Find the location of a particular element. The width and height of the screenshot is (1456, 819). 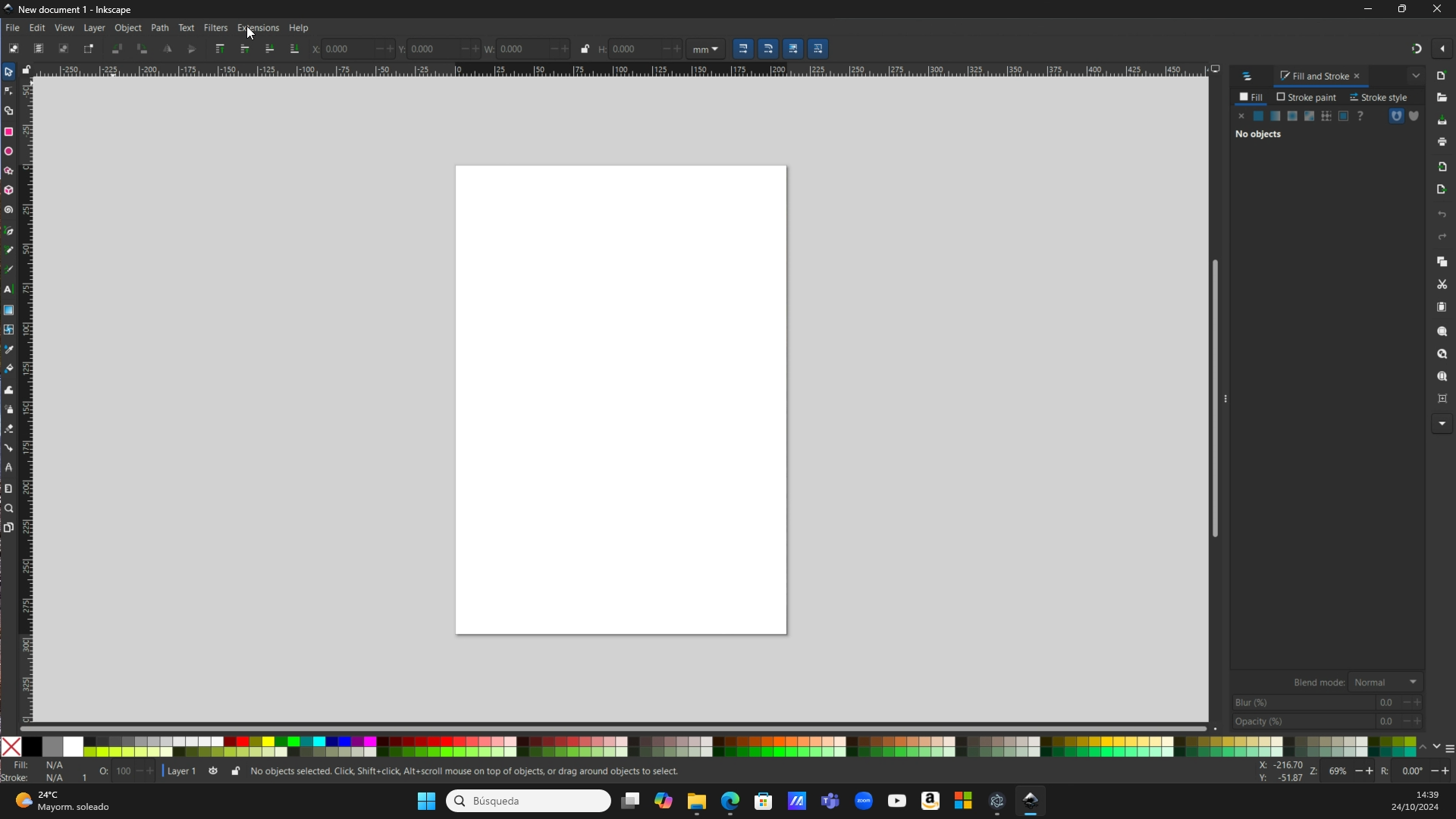

vertical scale is located at coordinates (29, 393).